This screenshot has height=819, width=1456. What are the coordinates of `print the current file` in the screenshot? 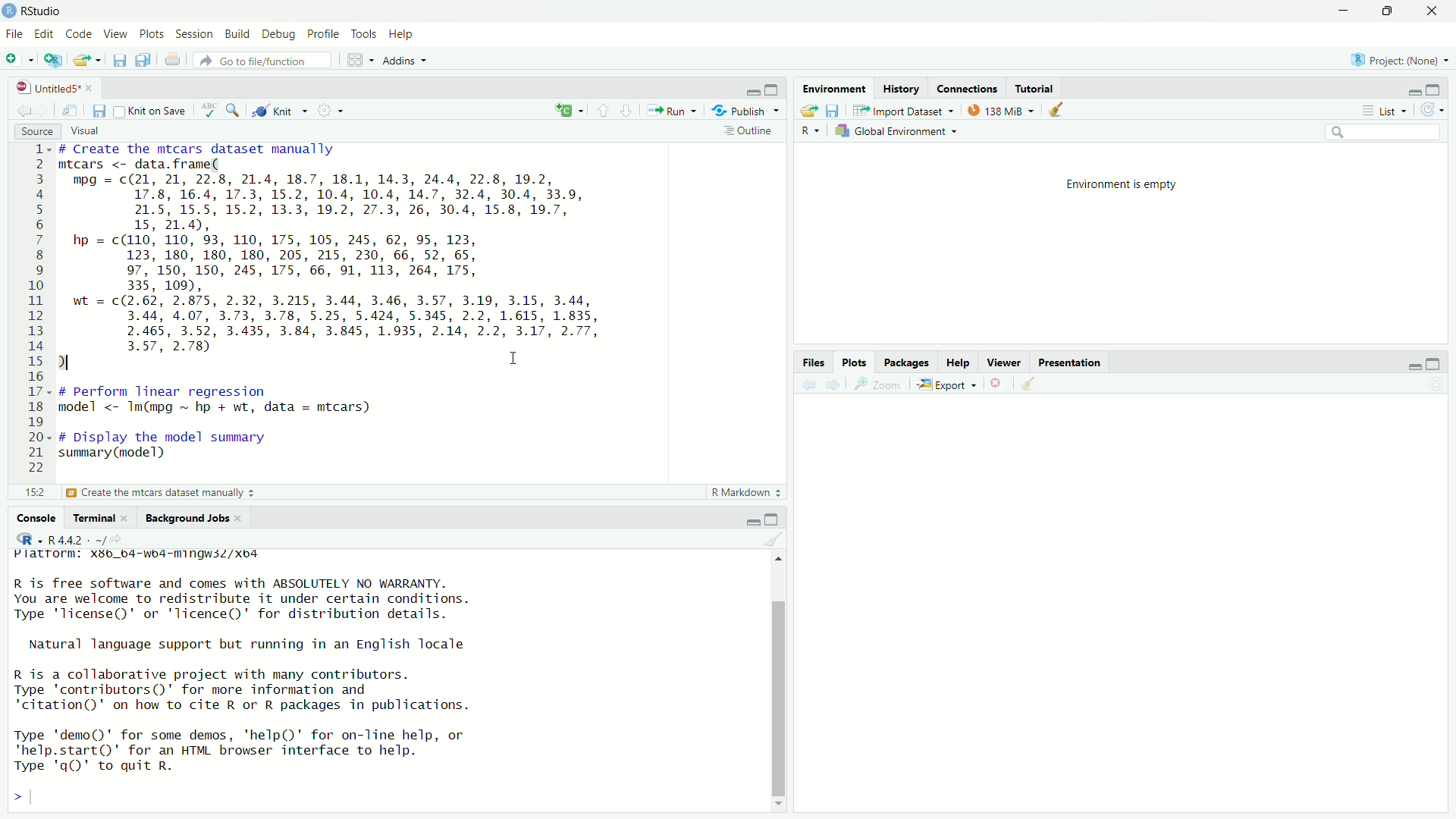 It's located at (174, 60).